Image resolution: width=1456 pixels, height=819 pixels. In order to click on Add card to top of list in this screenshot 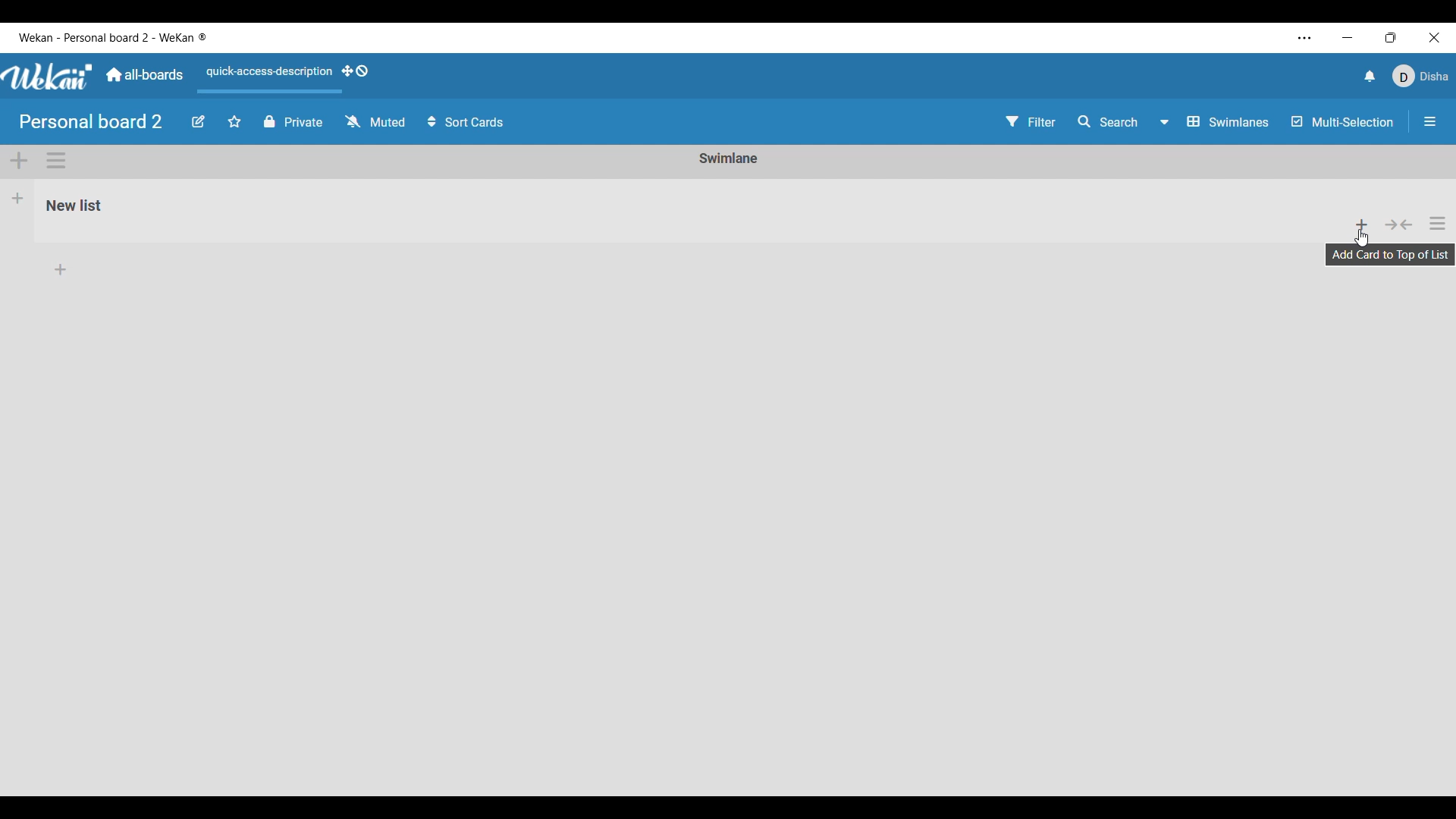, I will do `click(1363, 223)`.